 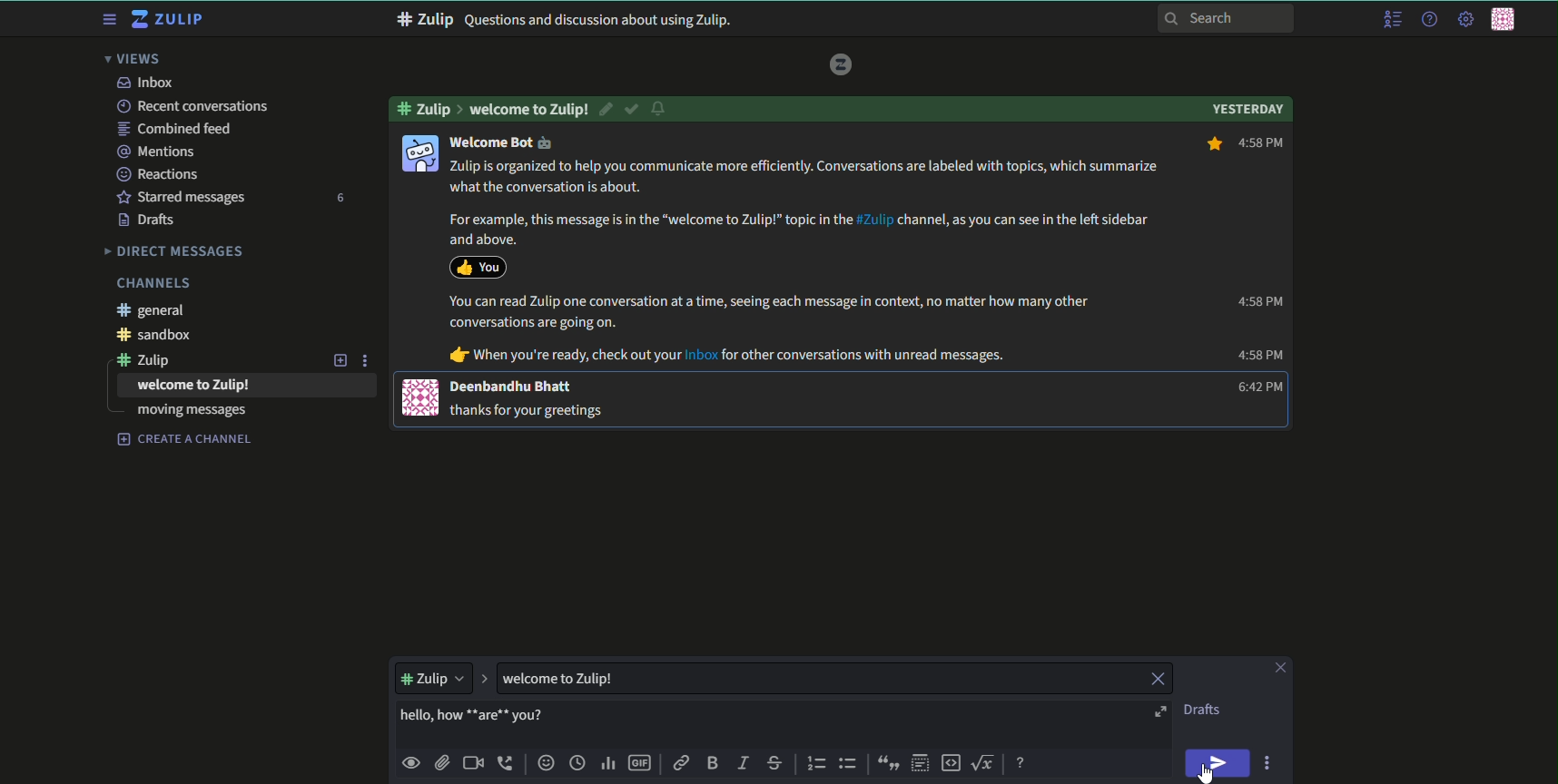 I want to click on icon, so click(x=478, y=266).